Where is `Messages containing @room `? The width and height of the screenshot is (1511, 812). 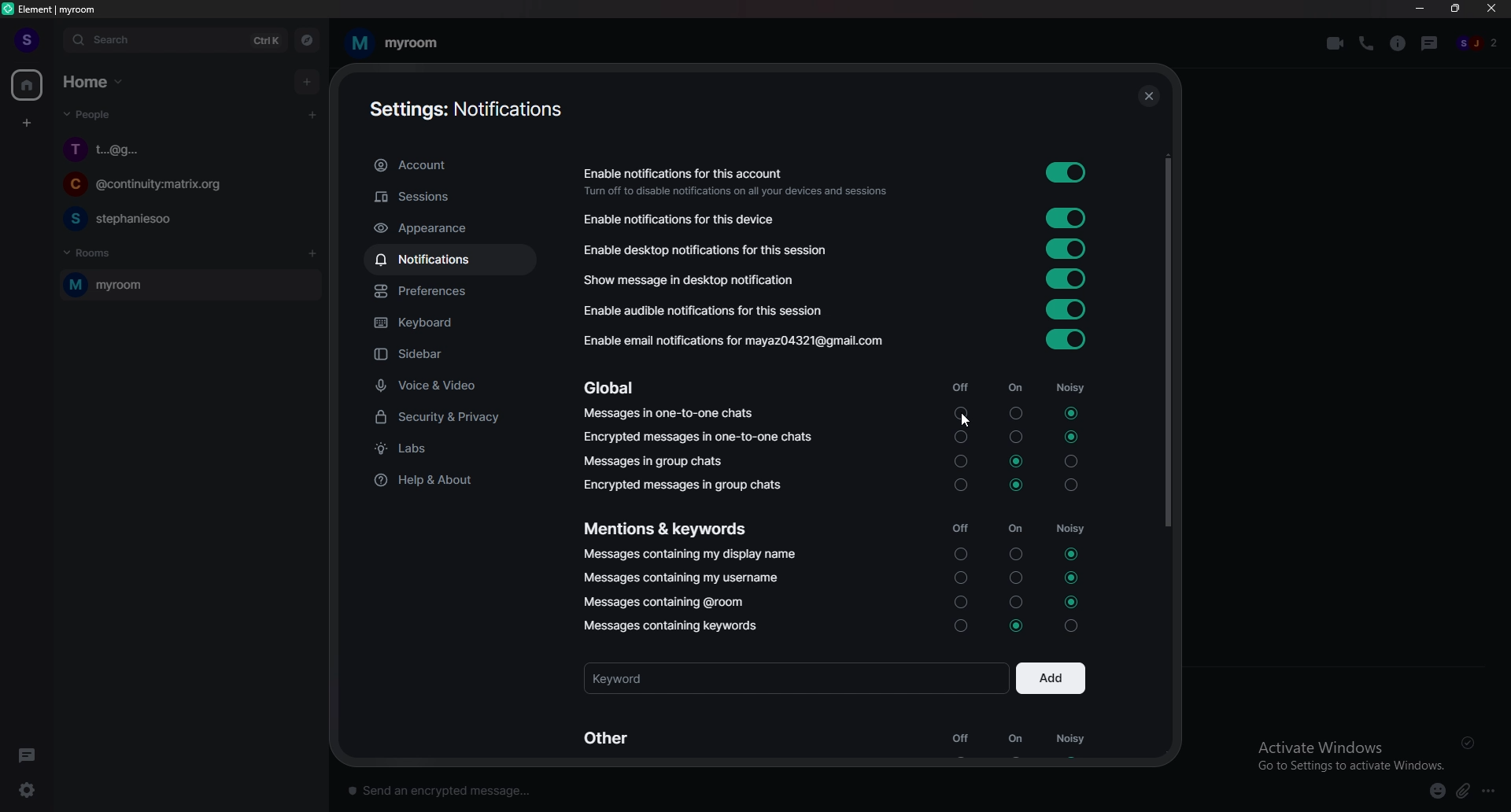
Messages containing @room  is located at coordinates (662, 602).